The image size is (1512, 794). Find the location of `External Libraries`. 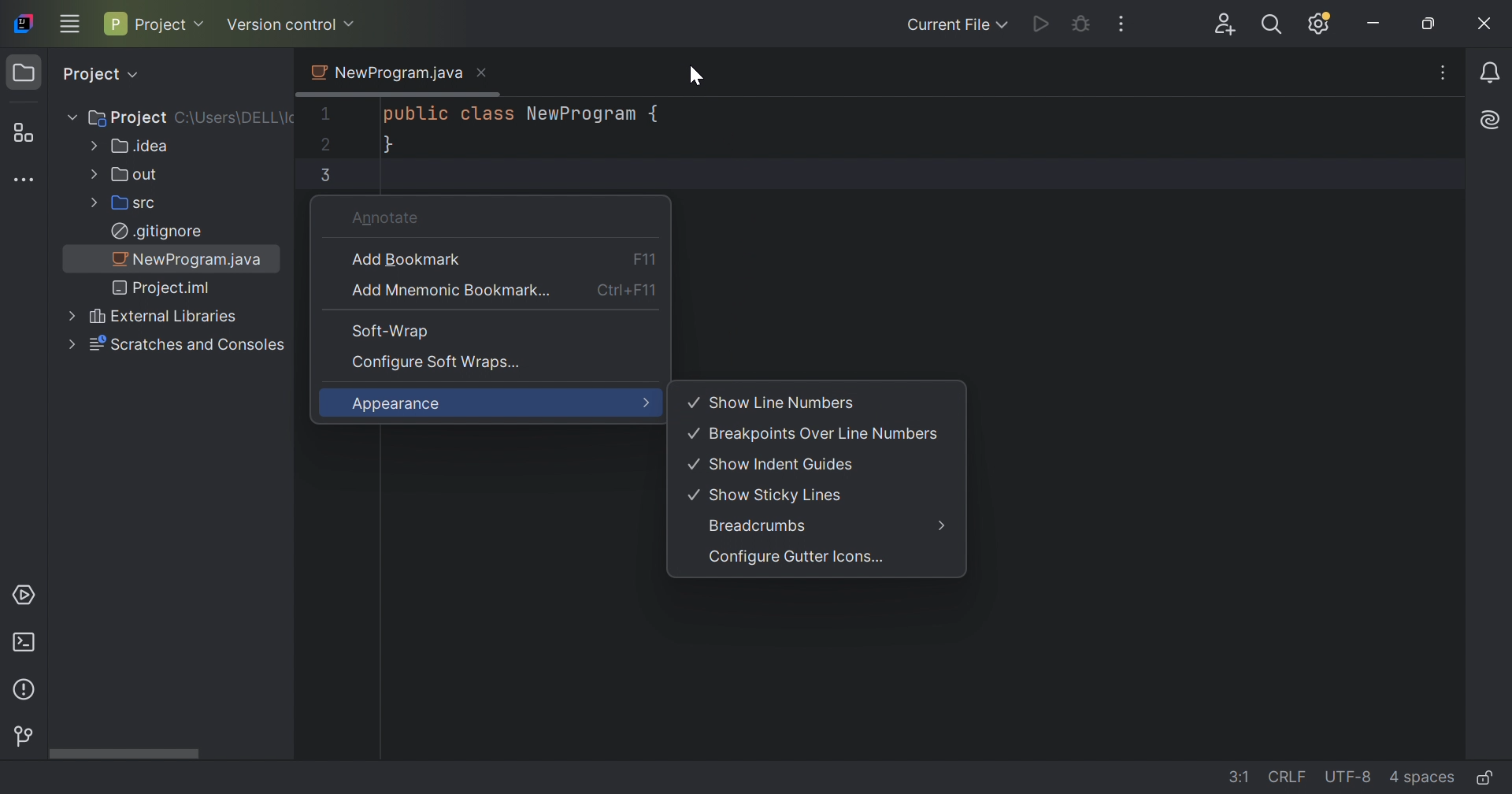

External Libraries is located at coordinates (164, 317).